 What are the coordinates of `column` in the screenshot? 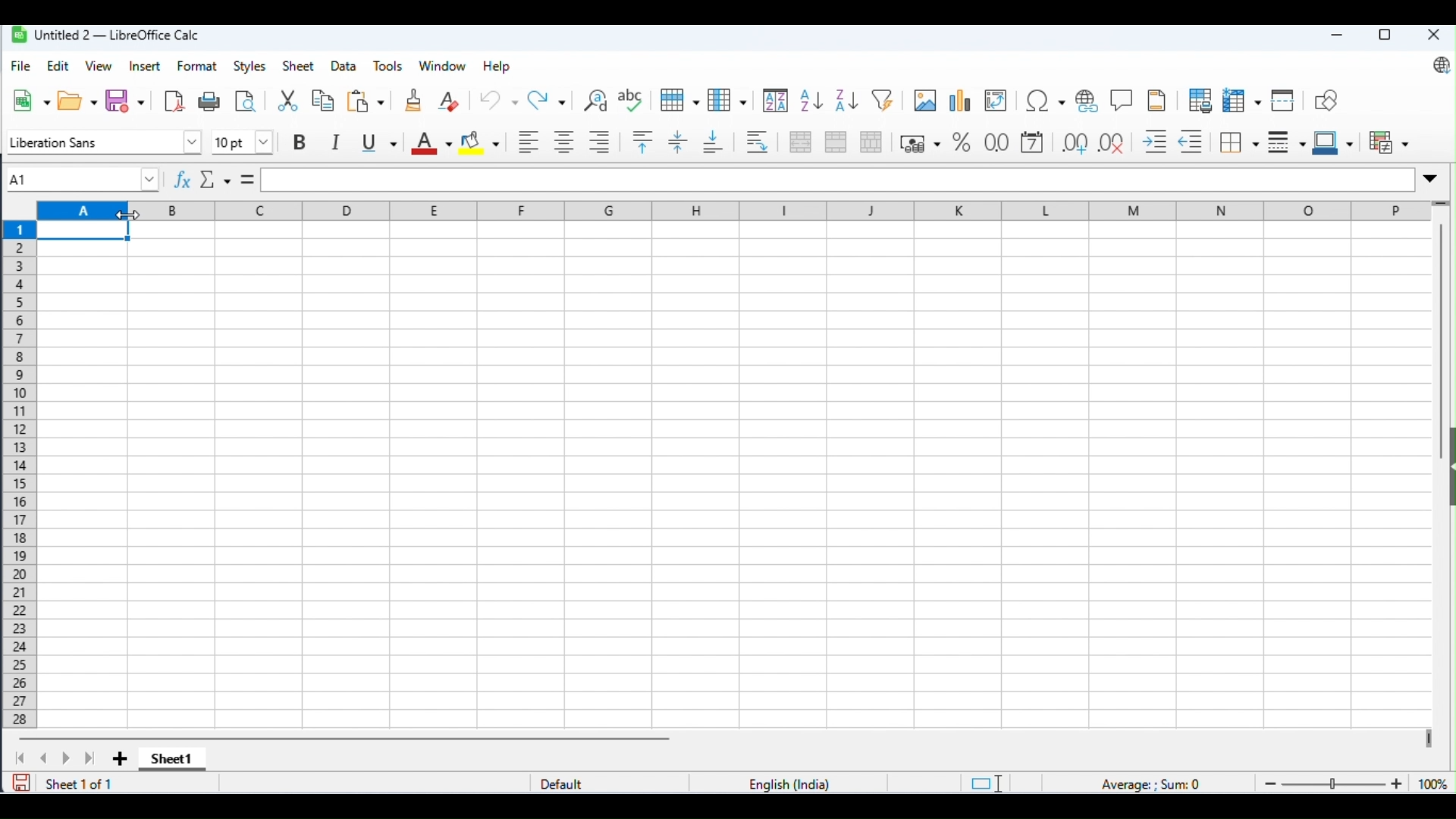 It's located at (729, 99).